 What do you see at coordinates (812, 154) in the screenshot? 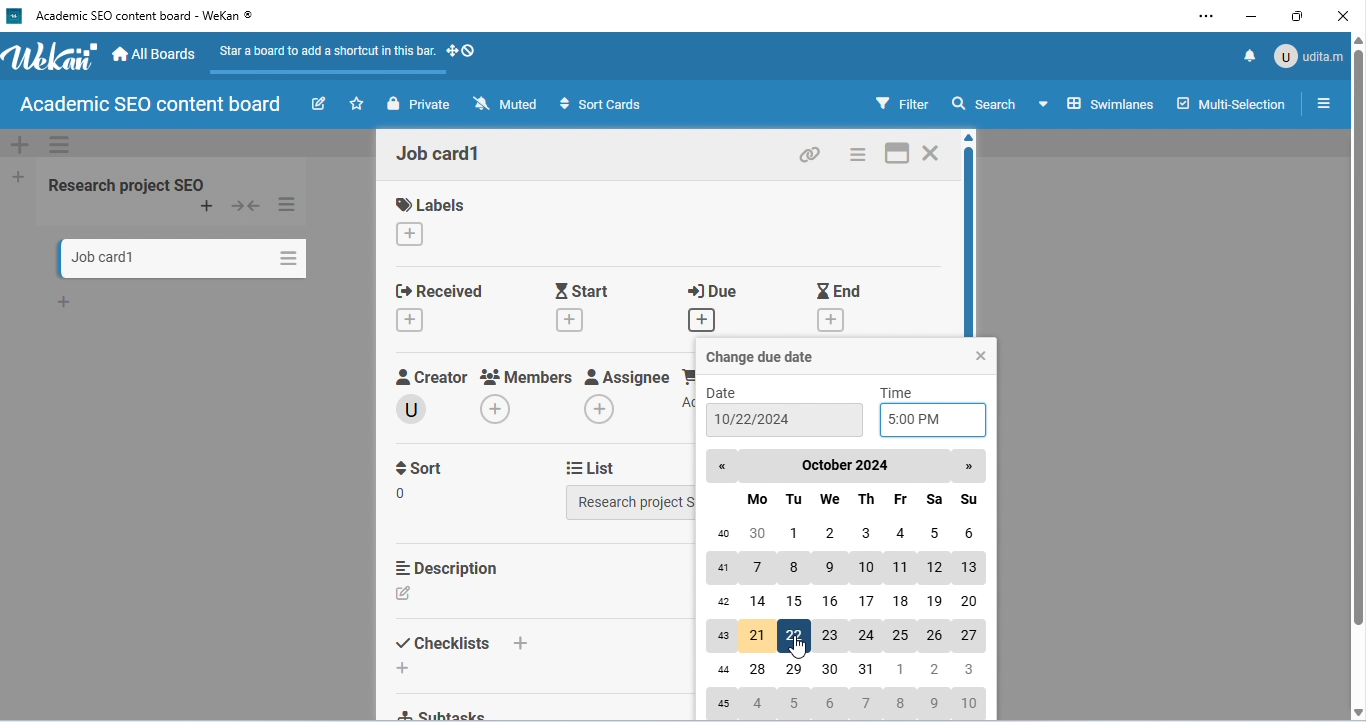
I see `copy card link` at bounding box center [812, 154].